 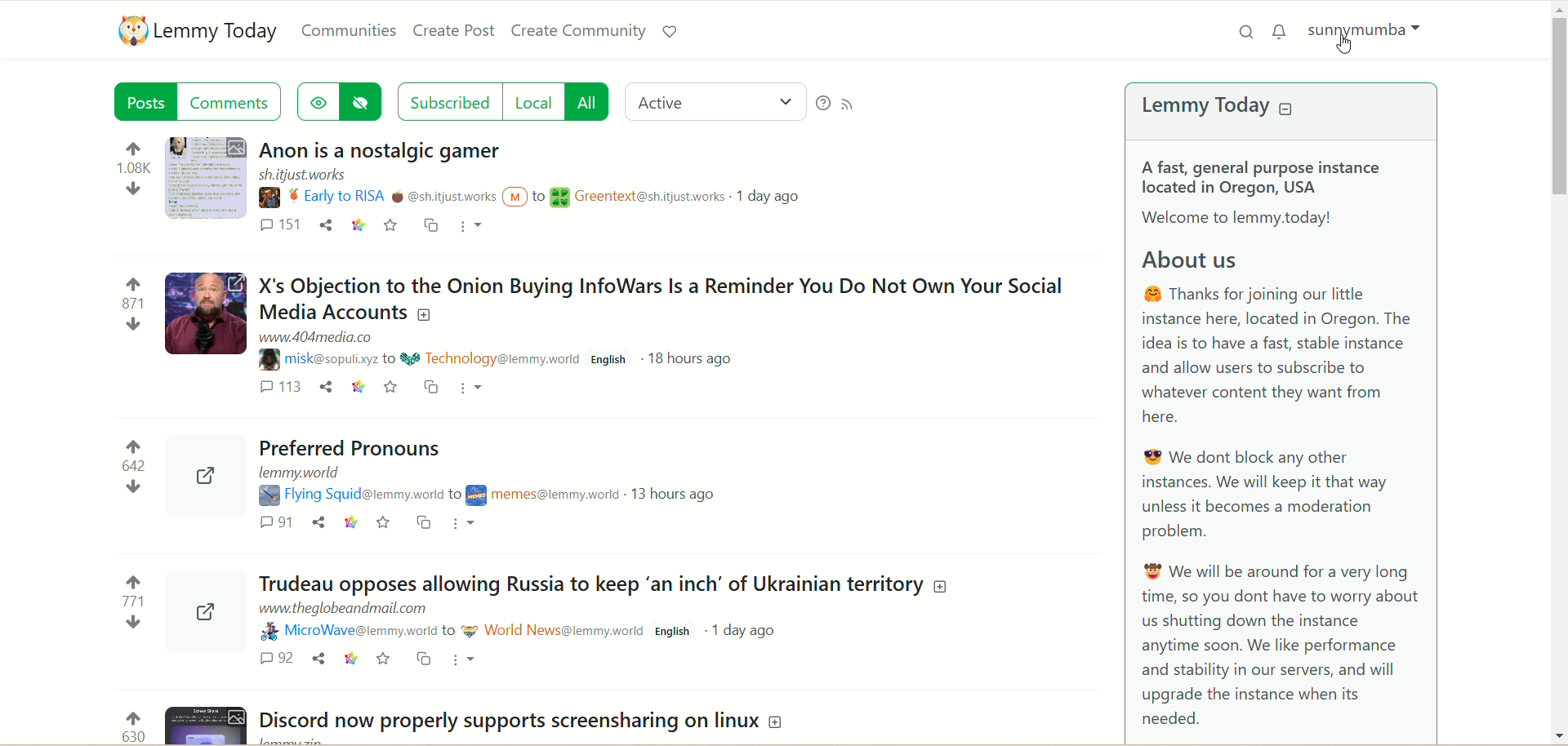 I want to click on Username, so click(x=320, y=360).